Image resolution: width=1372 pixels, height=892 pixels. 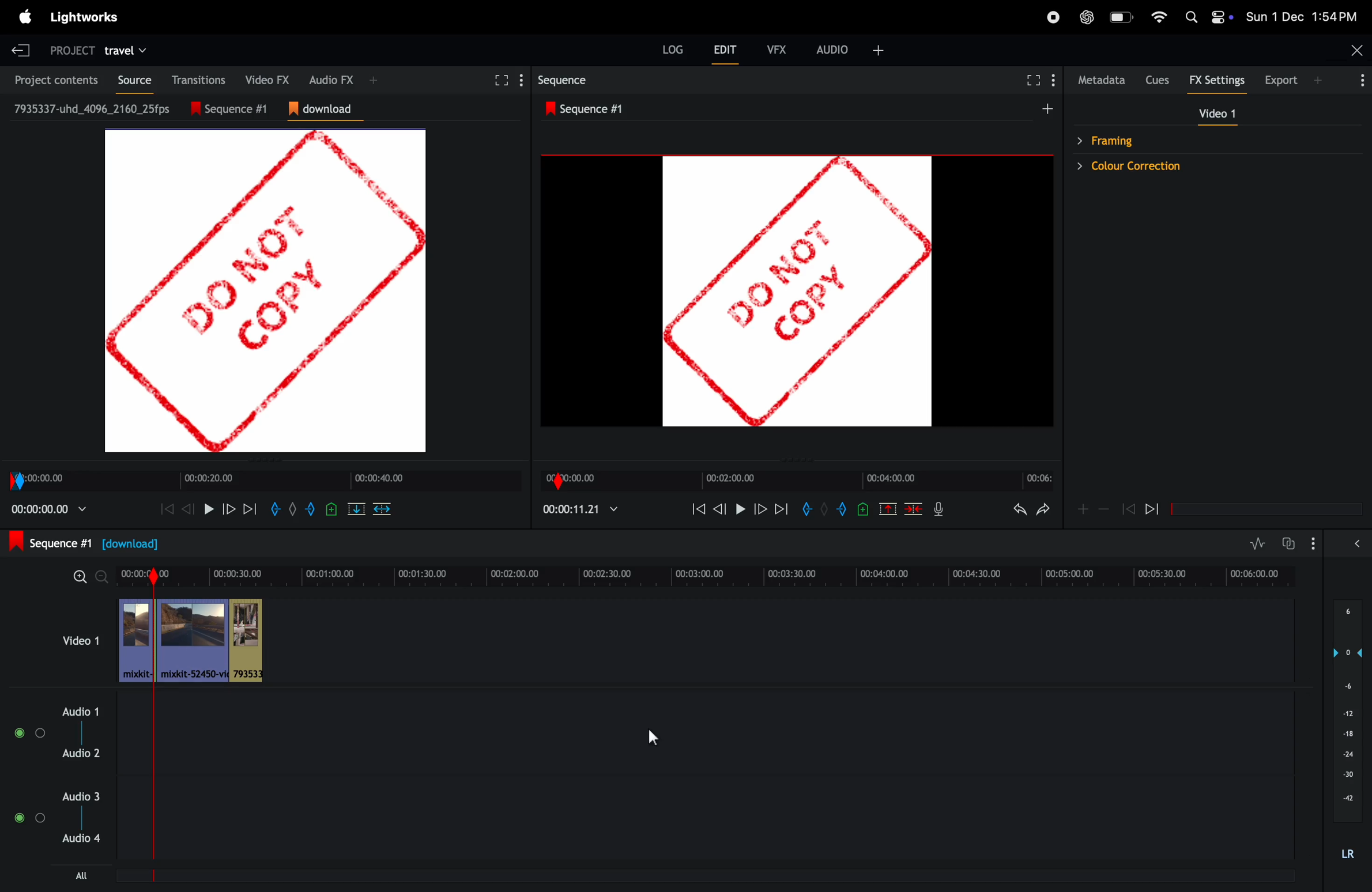 What do you see at coordinates (579, 509) in the screenshot?
I see `playback time` at bounding box center [579, 509].